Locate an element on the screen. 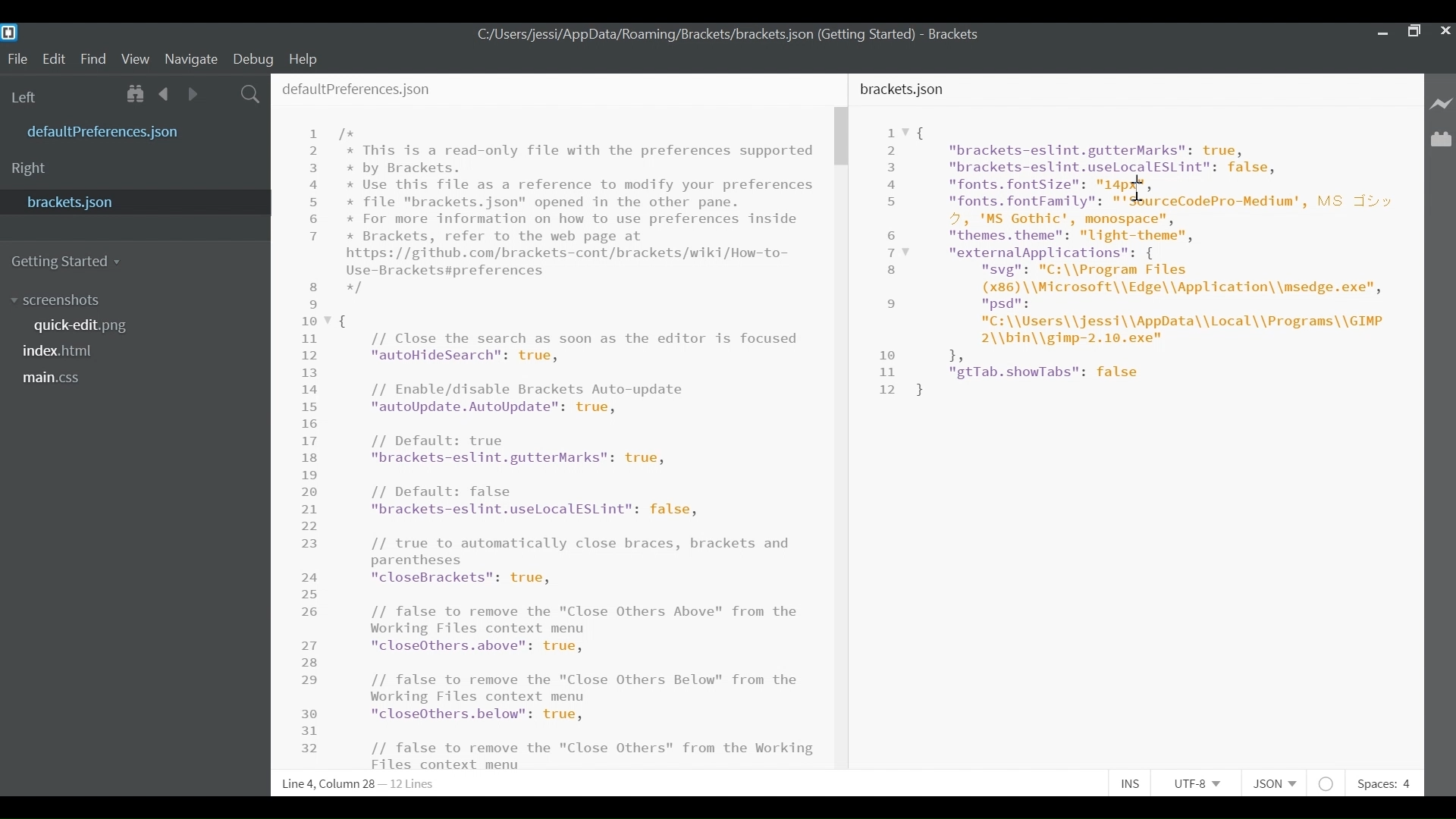 This screenshot has height=819, width=1456. main.css file is located at coordinates (56, 377).